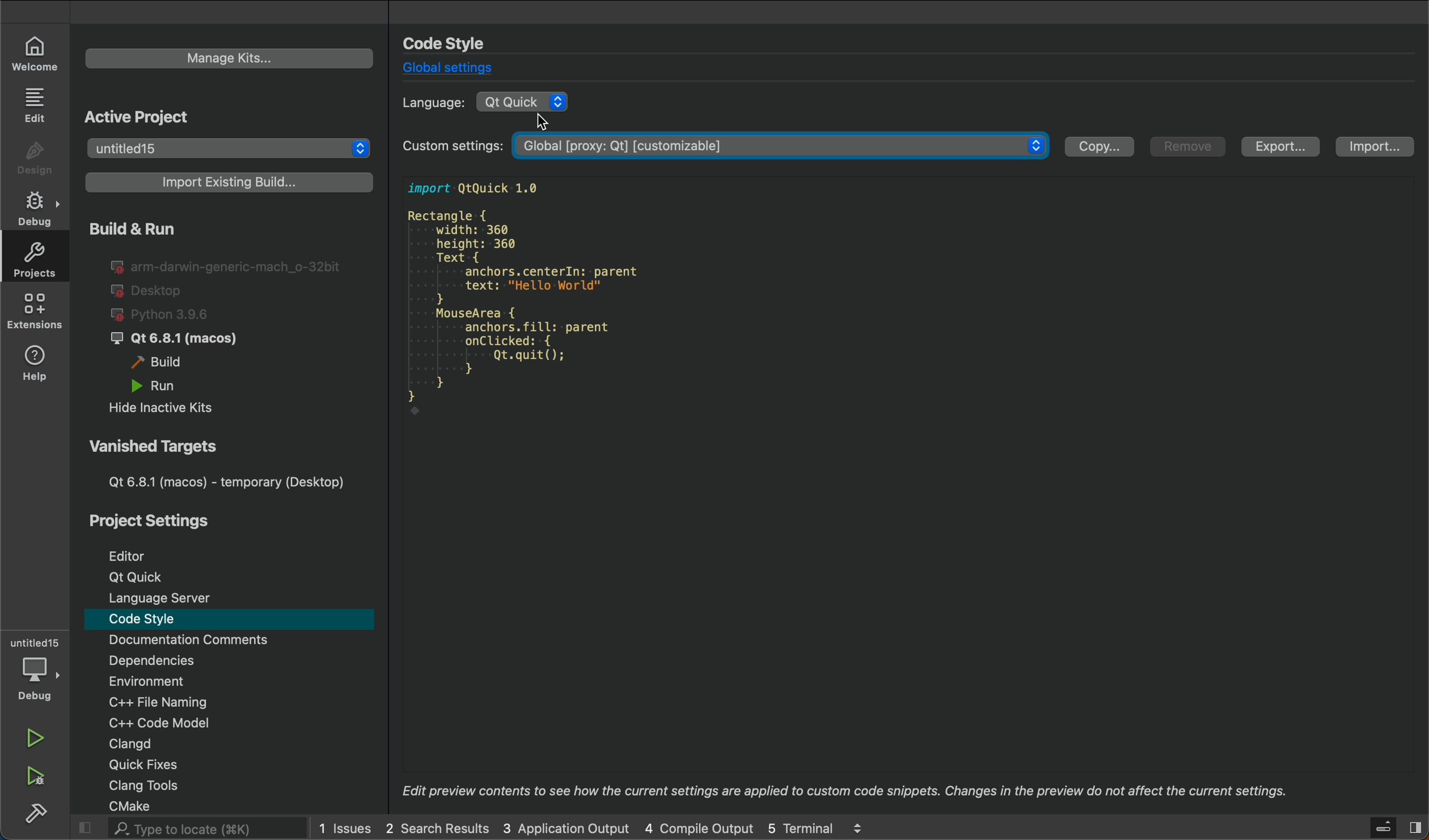 The width and height of the screenshot is (1429, 840). Describe the element at coordinates (174, 721) in the screenshot. I see `c-- code modal` at that location.